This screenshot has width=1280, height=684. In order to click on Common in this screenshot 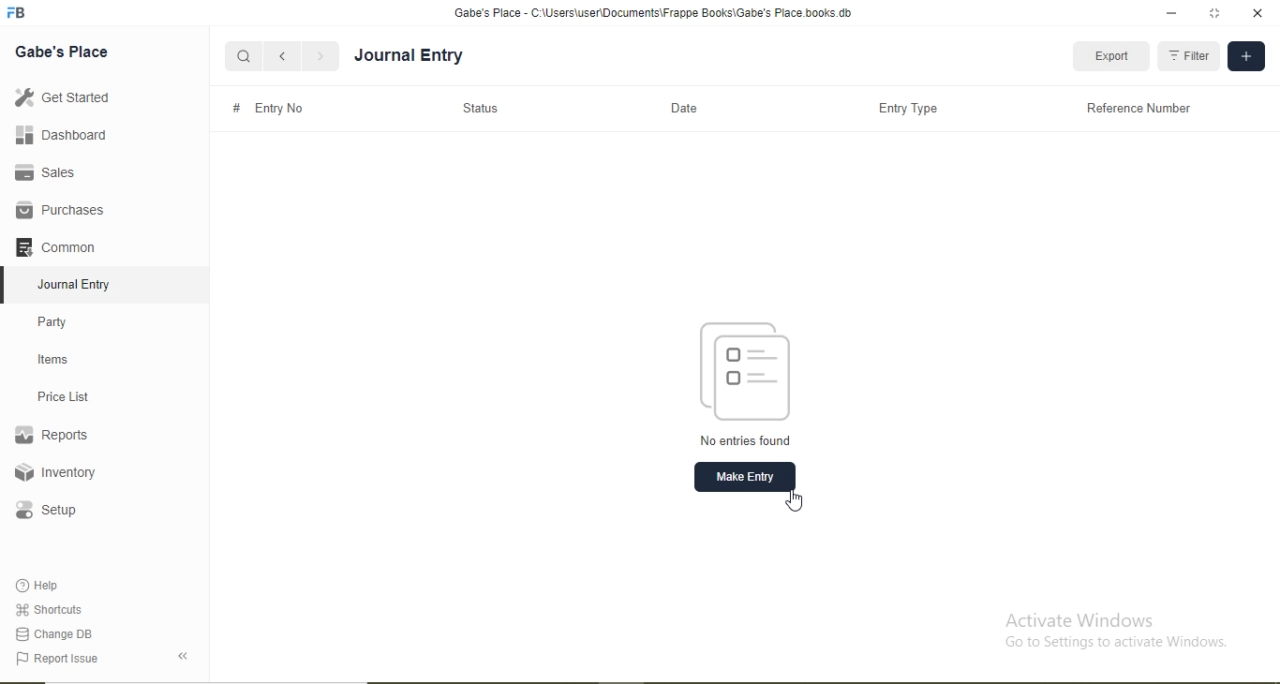, I will do `click(54, 246)`.